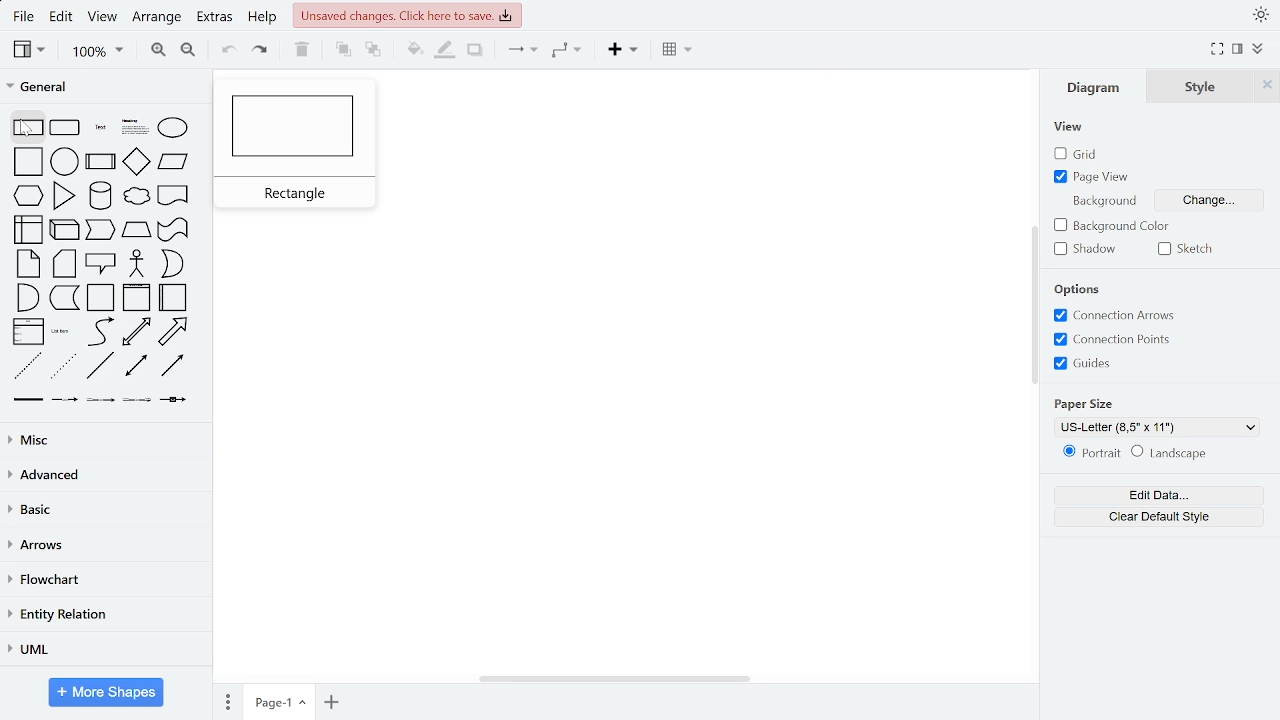  What do you see at coordinates (1078, 154) in the screenshot?
I see `grid` at bounding box center [1078, 154].